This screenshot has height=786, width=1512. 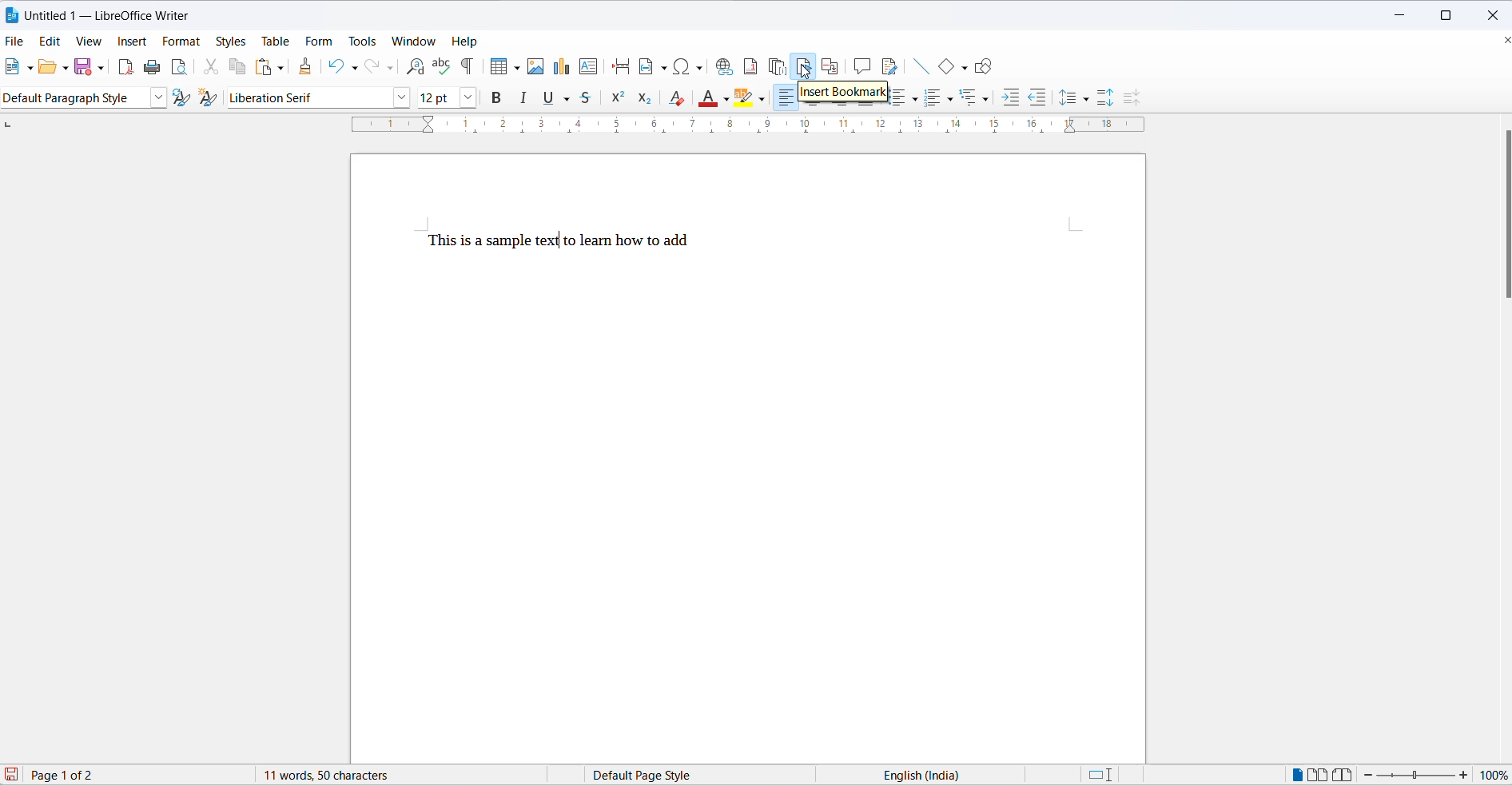 What do you see at coordinates (1417, 776) in the screenshot?
I see `zoom slider` at bounding box center [1417, 776].